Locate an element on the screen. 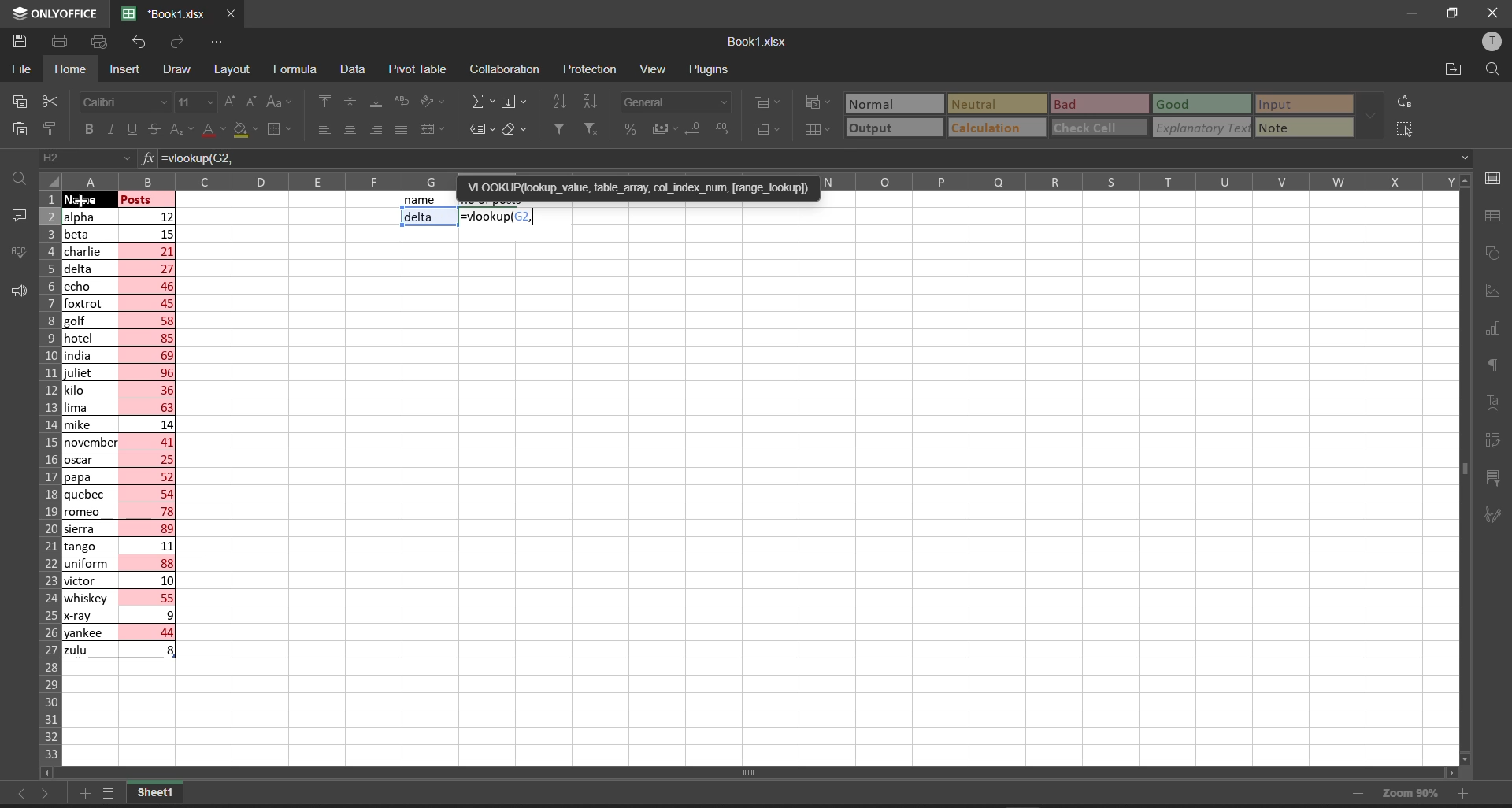 The width and height of the screenshot is (1512, 808). draw is located at coordinates (174, 69).